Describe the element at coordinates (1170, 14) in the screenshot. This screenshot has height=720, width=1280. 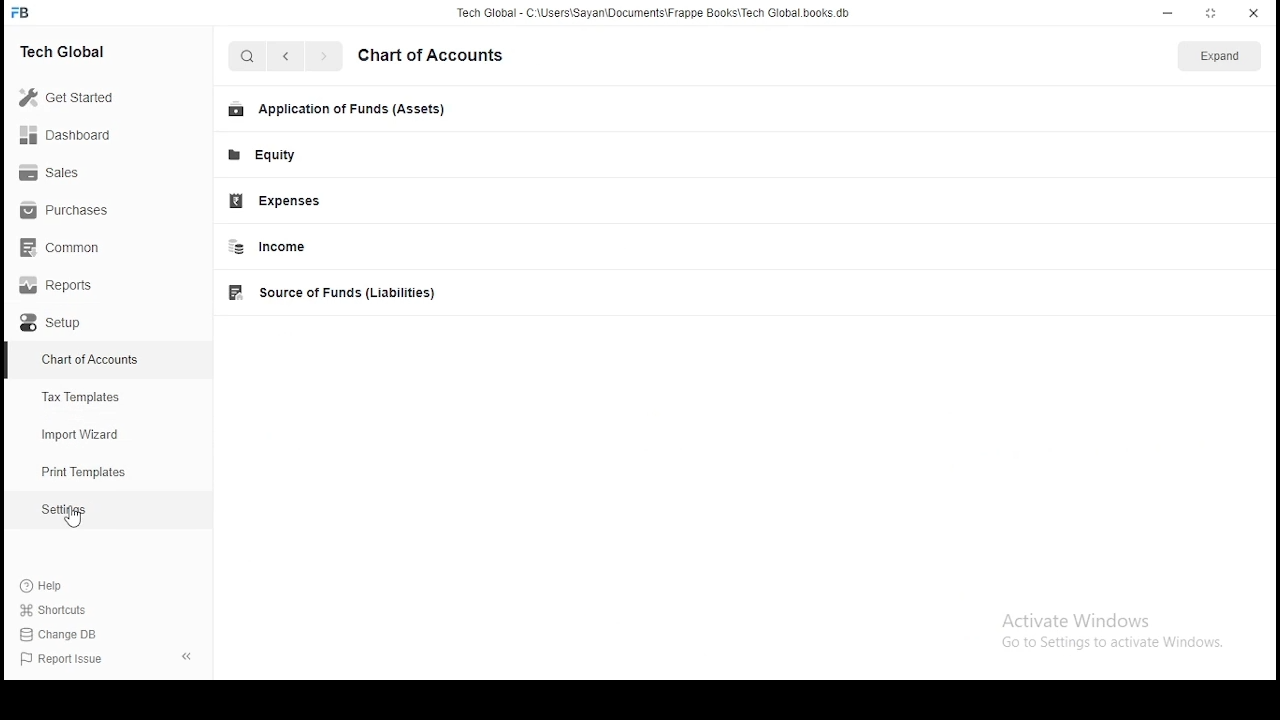
I see `minimize ` at that location.